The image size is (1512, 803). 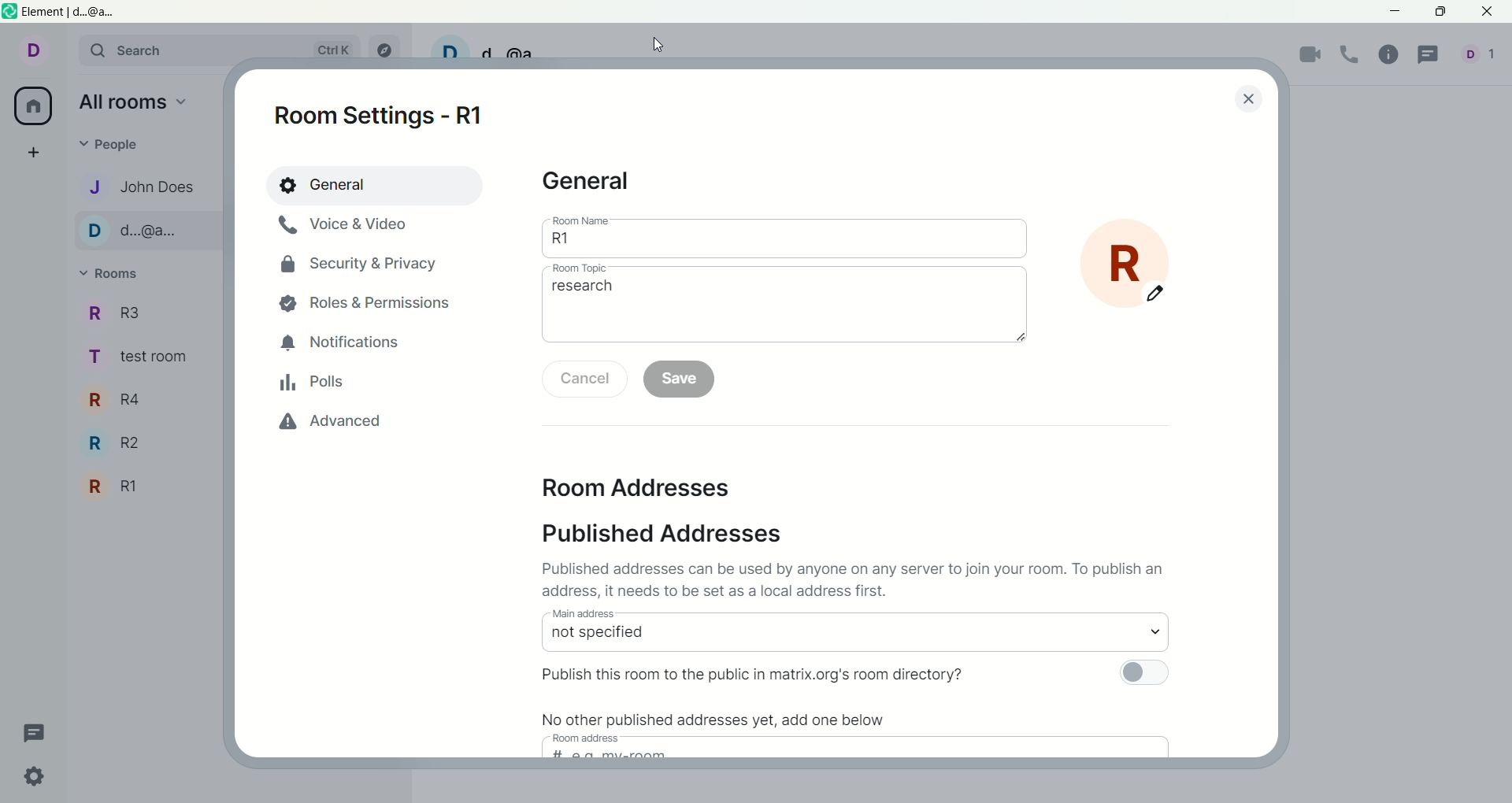 I want to click on people, so click(x=116, y=147).